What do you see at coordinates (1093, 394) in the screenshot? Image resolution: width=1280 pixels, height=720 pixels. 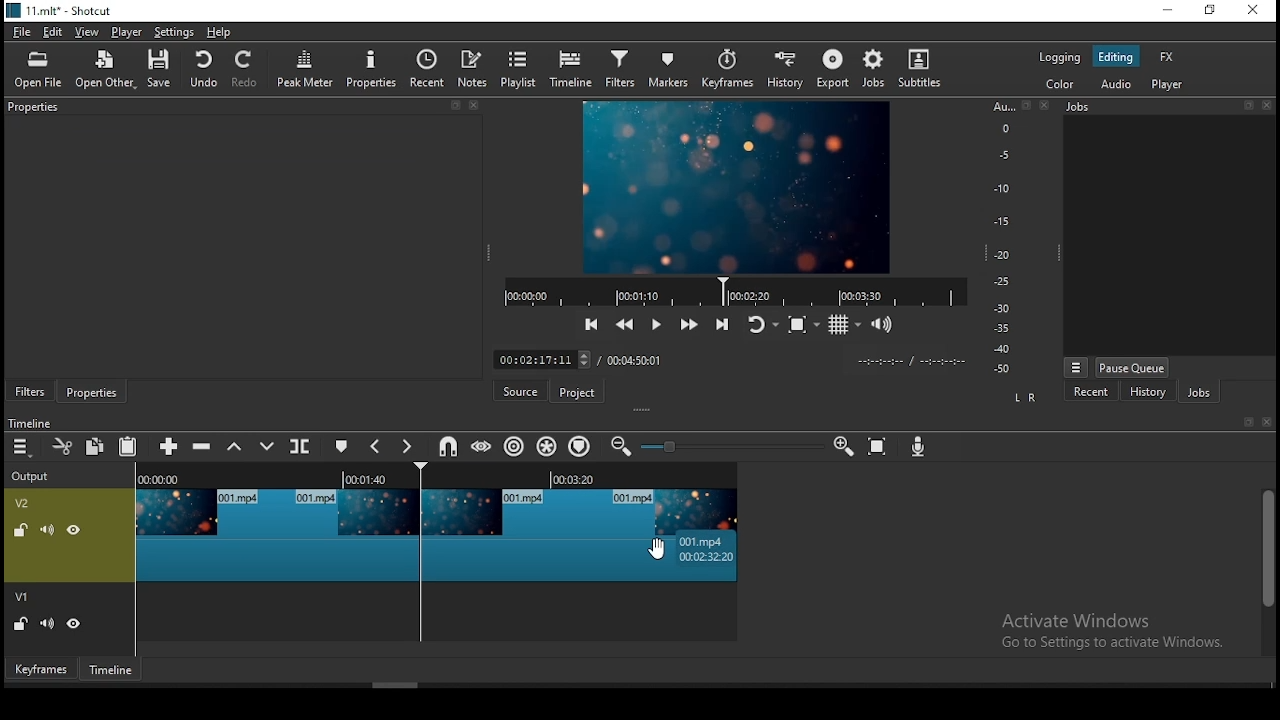 I see `recent` at bounding box center [1093, 394].